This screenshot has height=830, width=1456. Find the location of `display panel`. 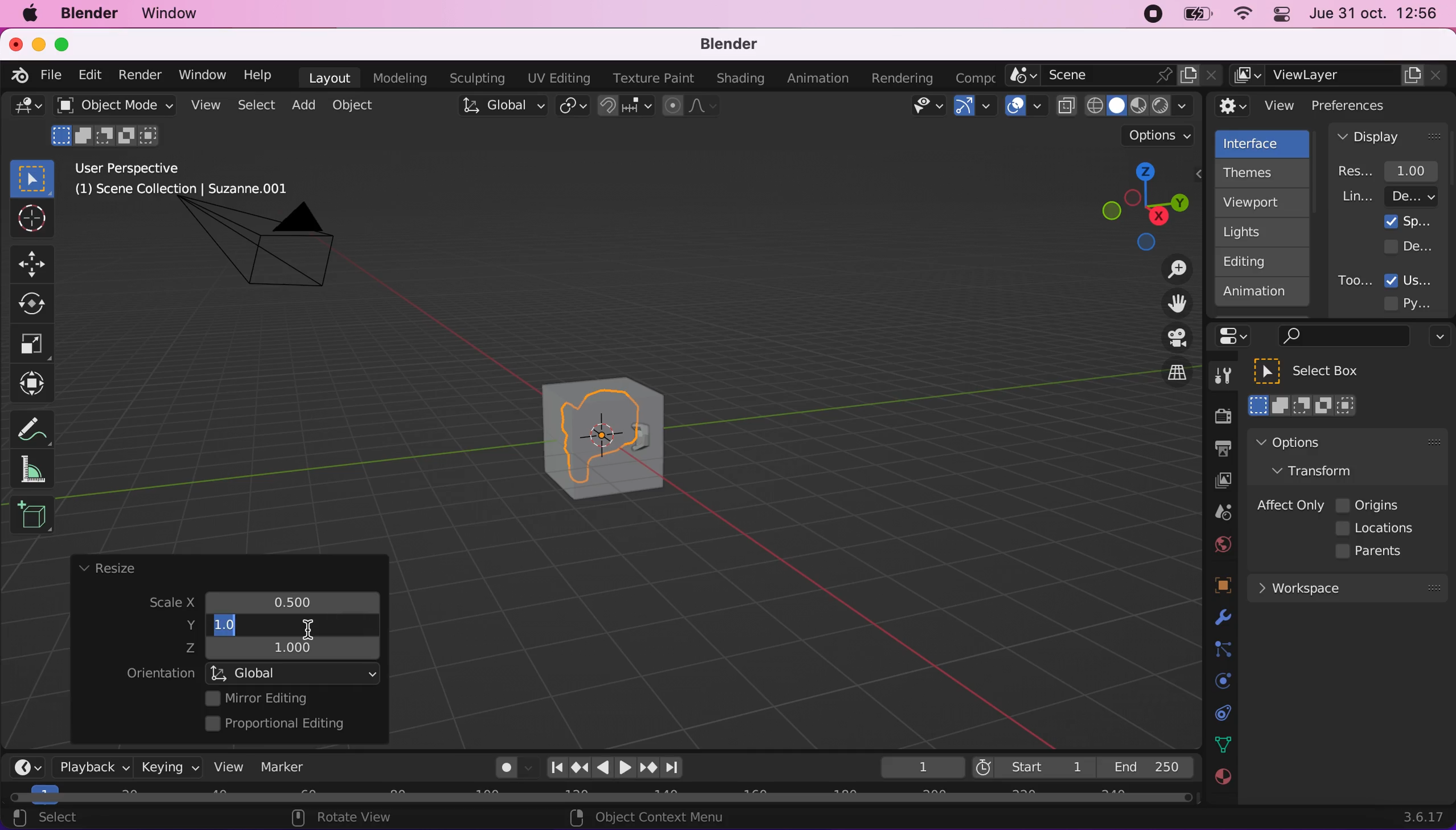

display panel is located at coordinates (1389, 136).